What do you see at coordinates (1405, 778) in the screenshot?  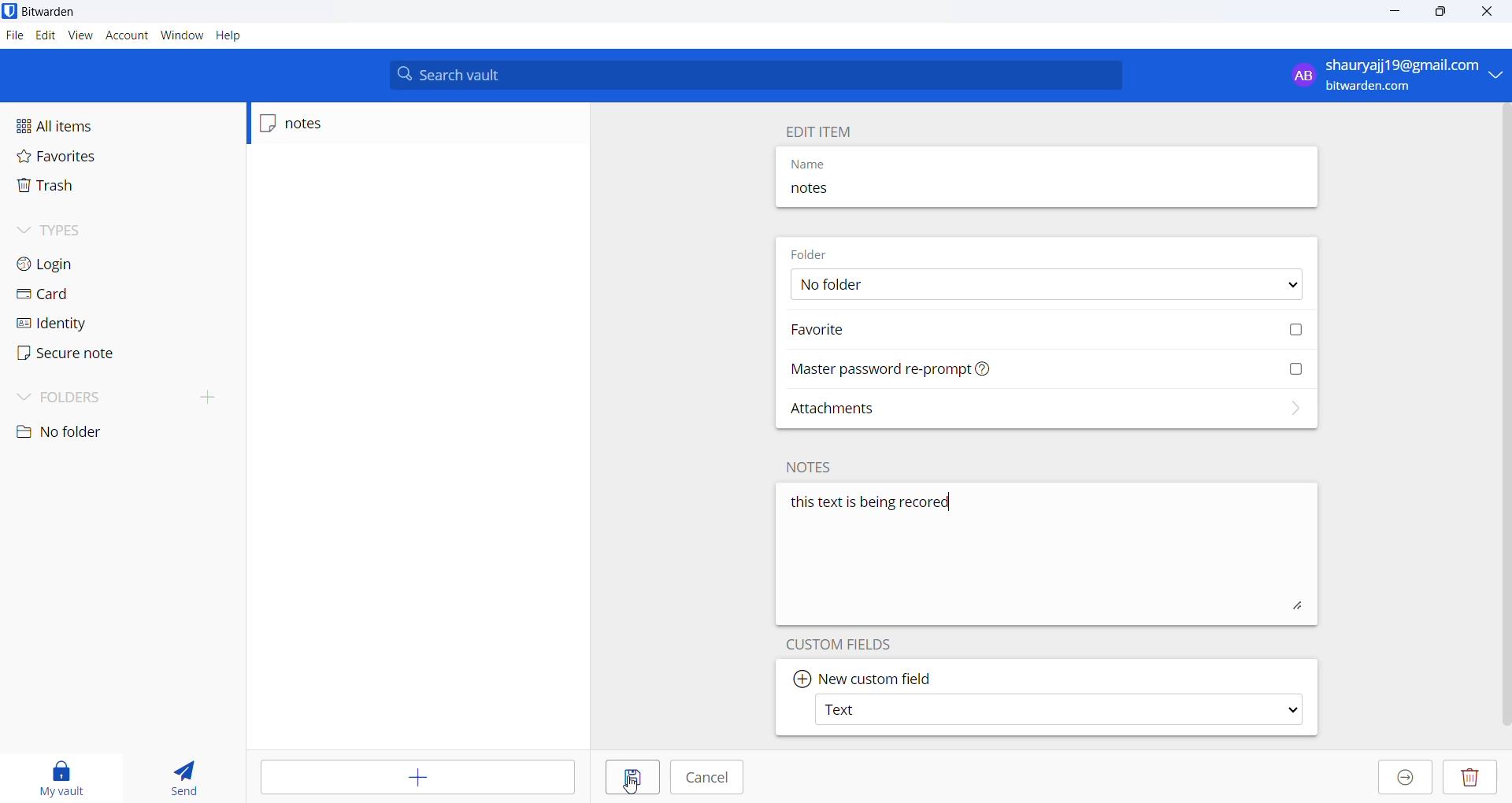 I see `move to organization` at bounding box center [1405, 778].